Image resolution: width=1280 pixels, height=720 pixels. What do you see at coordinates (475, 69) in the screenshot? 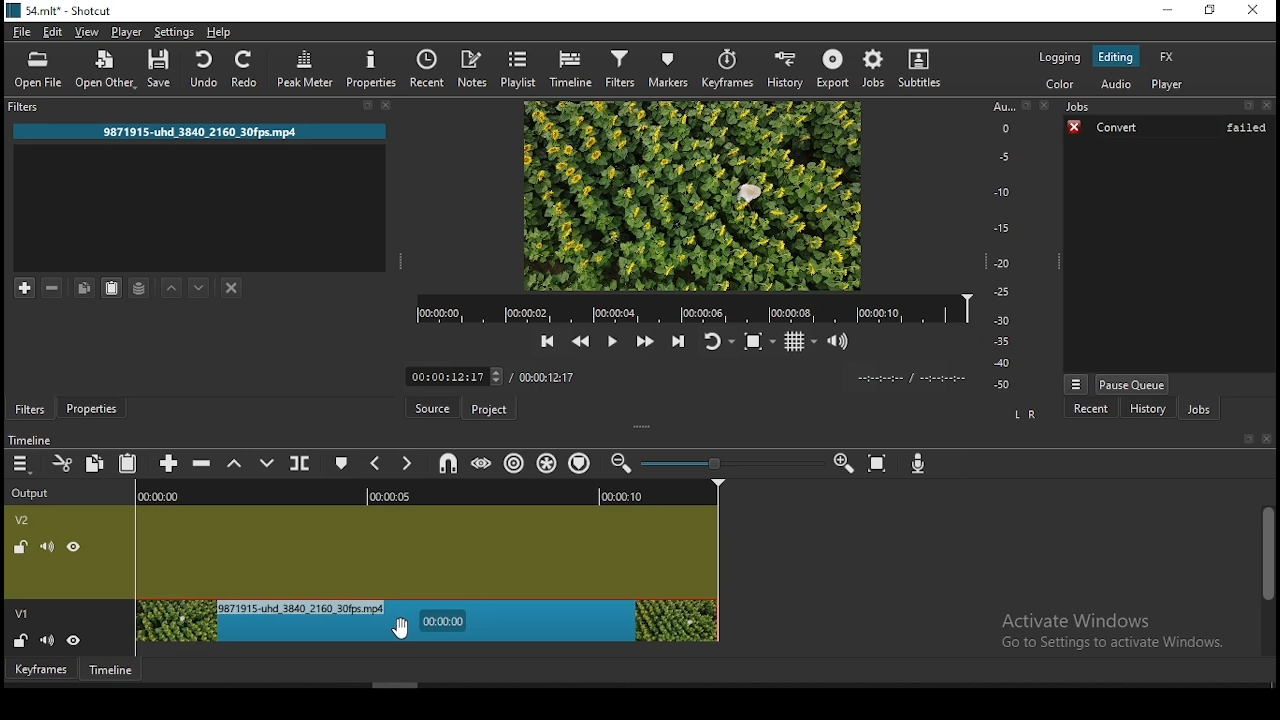
I see `notes` at bounding box center [475, 69].